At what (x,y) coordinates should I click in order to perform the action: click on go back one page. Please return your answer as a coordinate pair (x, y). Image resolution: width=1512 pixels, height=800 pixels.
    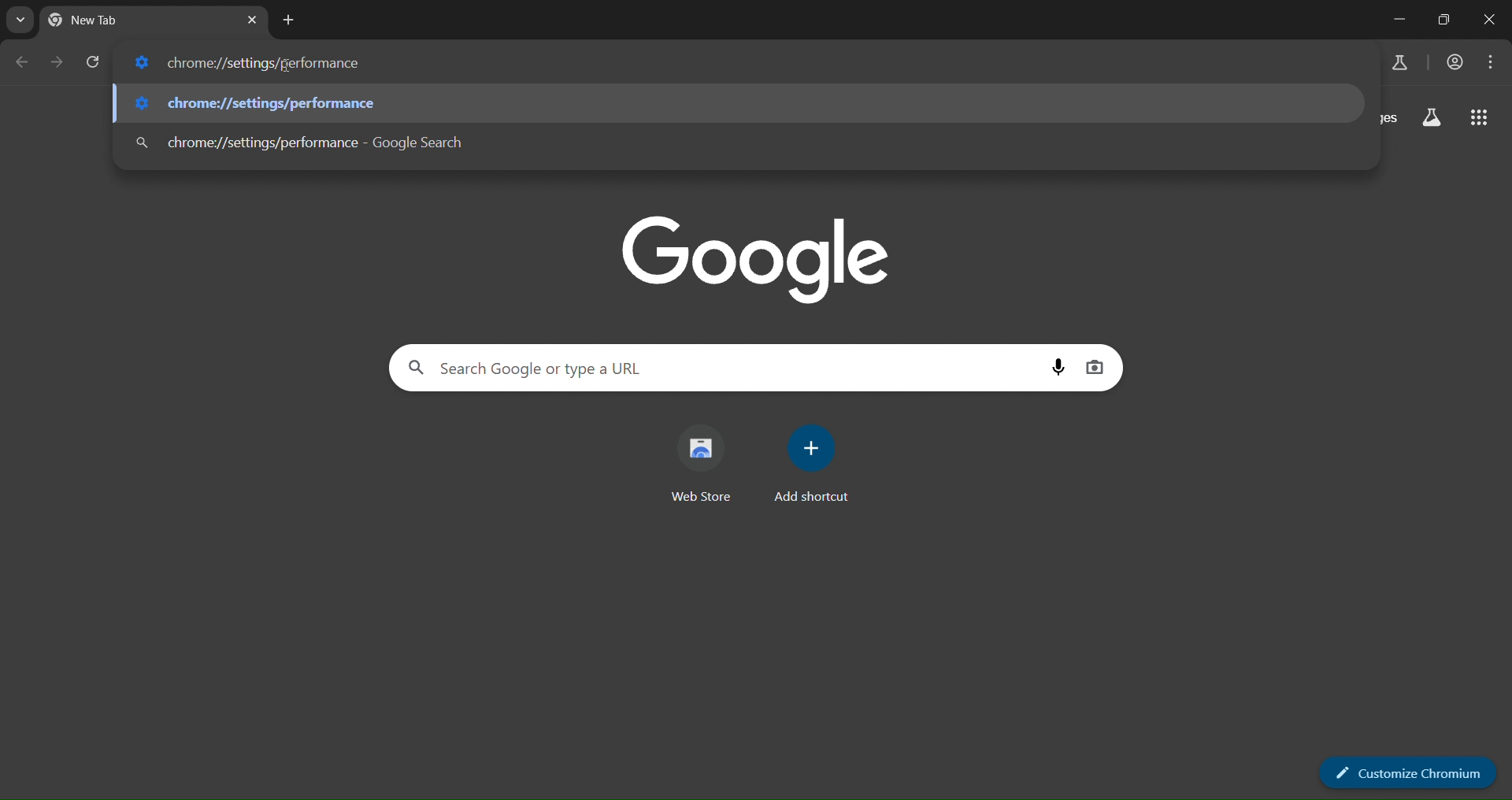
    Looking at the image, I should click on (21, 65).